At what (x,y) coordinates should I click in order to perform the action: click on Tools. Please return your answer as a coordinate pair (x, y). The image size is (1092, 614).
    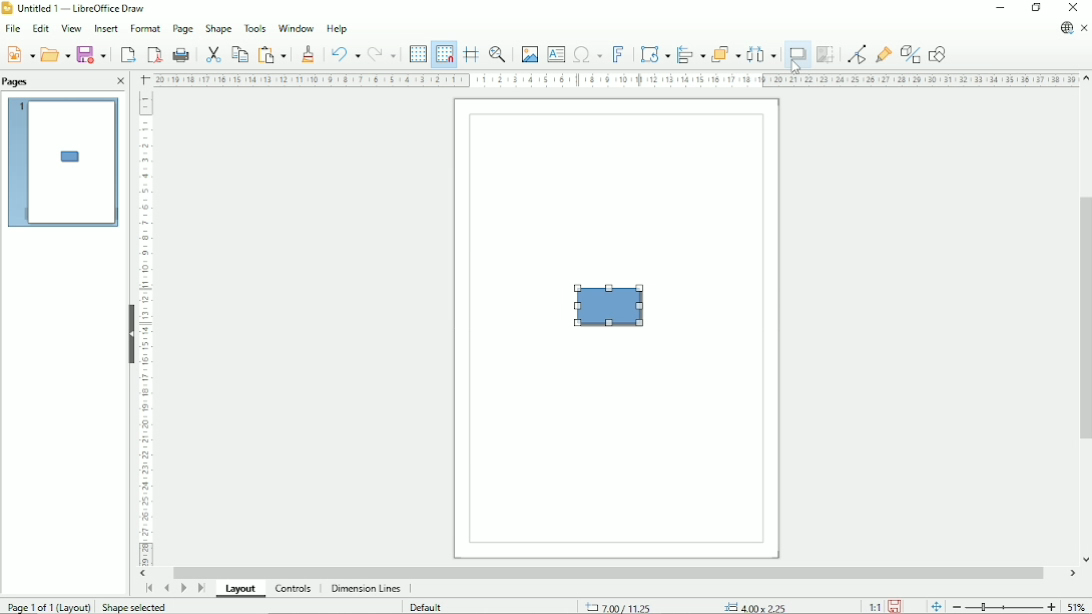
    Looking at the image, I should click on (255, 28).